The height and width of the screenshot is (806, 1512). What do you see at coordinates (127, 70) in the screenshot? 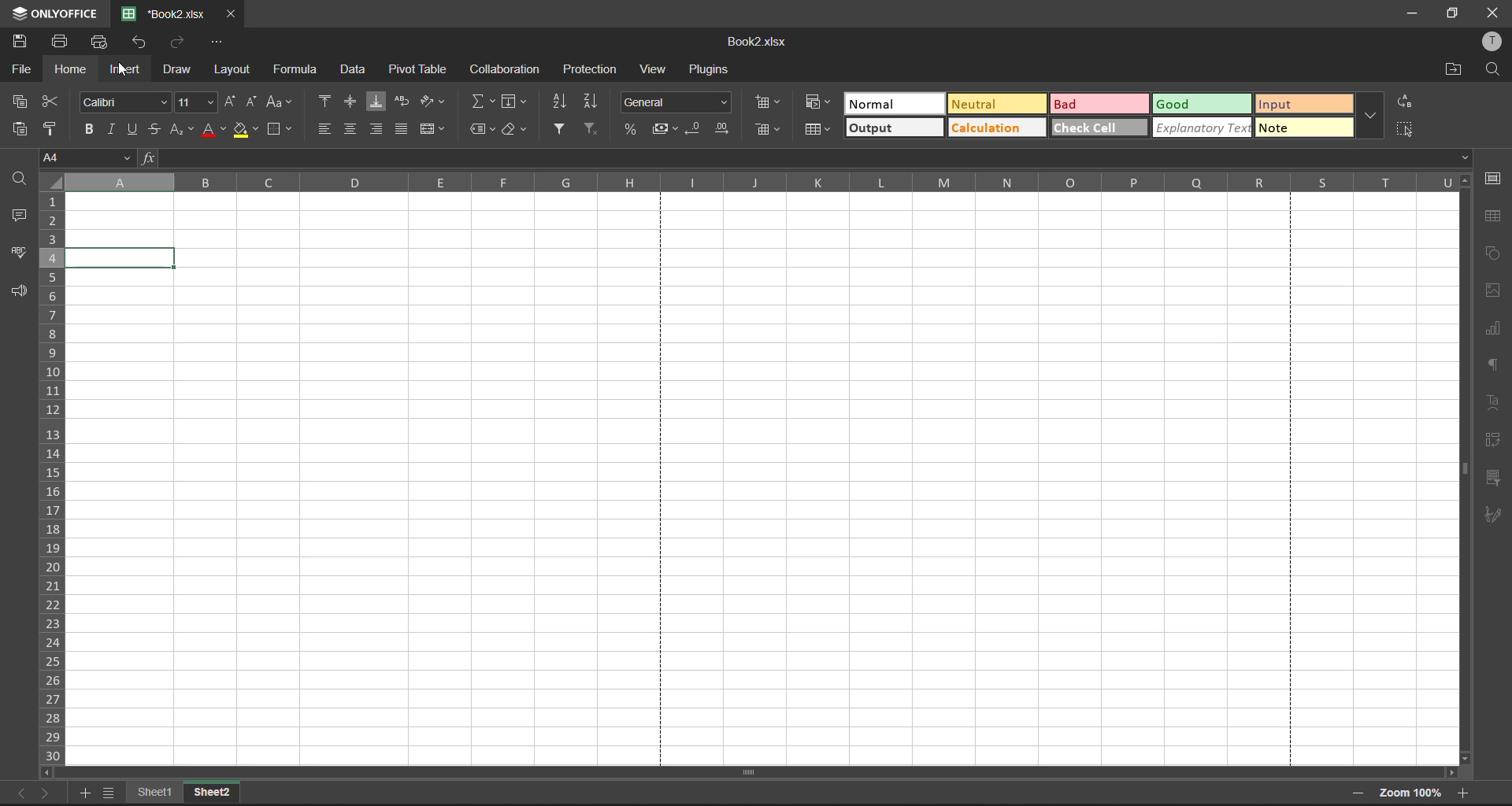
I see `insert` at bounding box center [127, 70].